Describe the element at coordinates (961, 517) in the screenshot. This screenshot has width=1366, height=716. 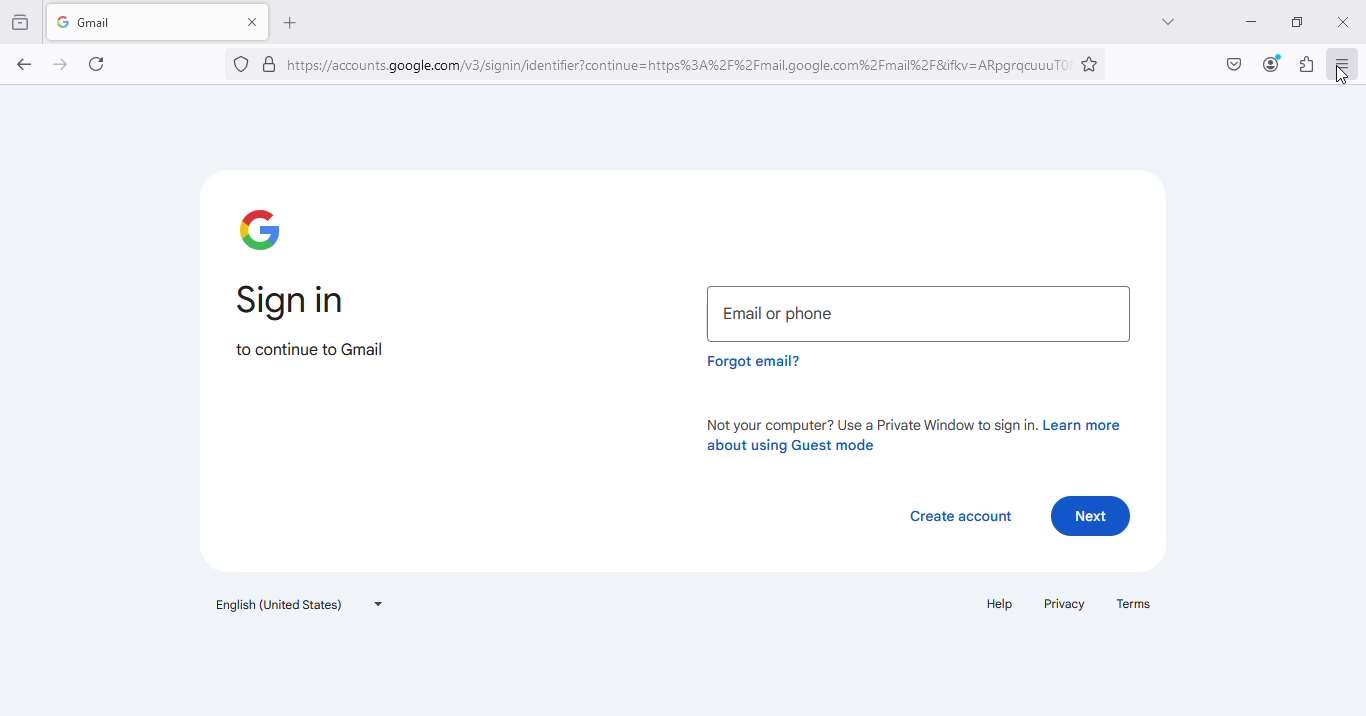
I see `create account` at that location.